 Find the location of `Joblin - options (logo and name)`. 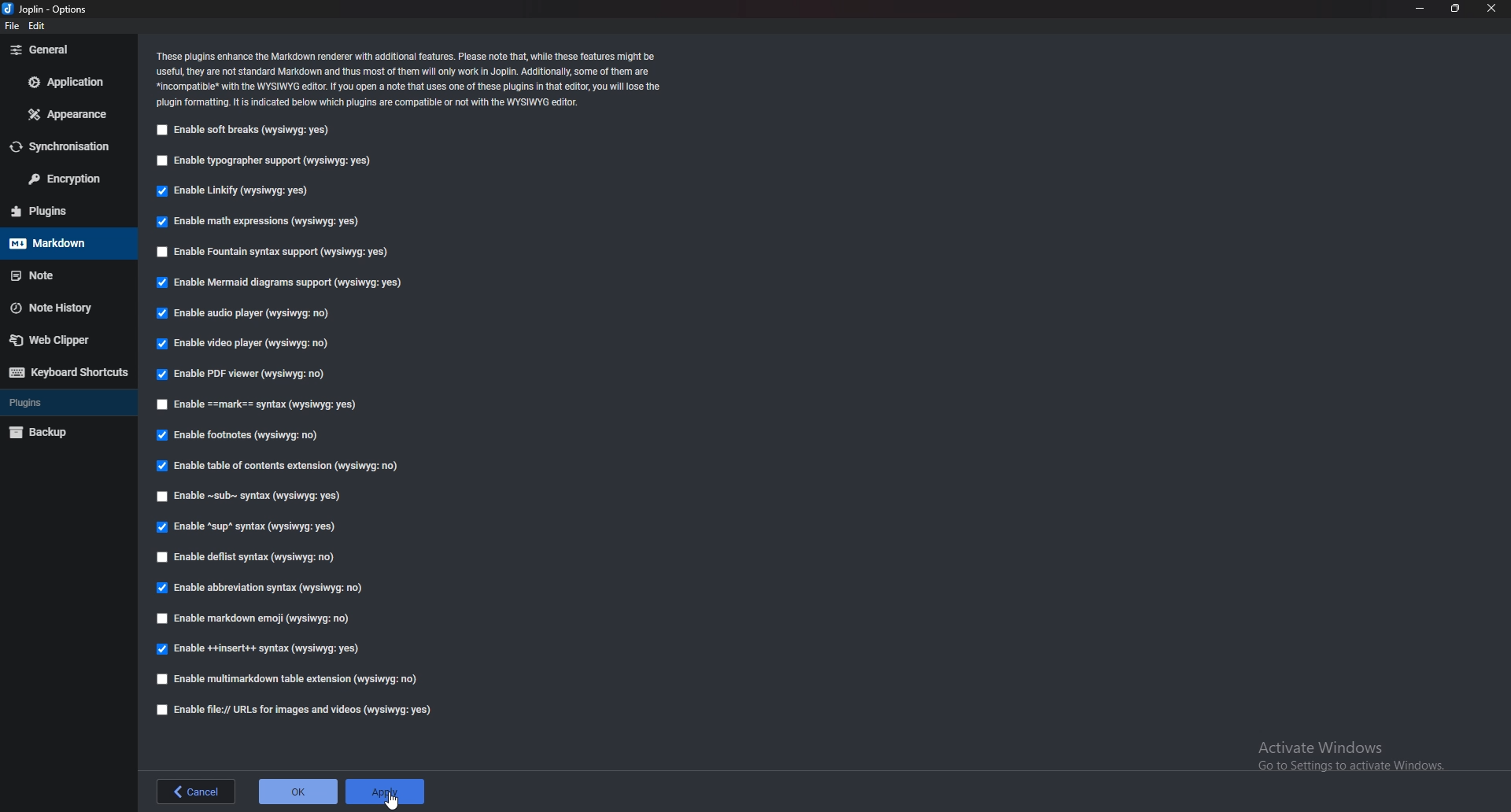

Joblin - options (logo and name) is located at coordinates (49, 10).